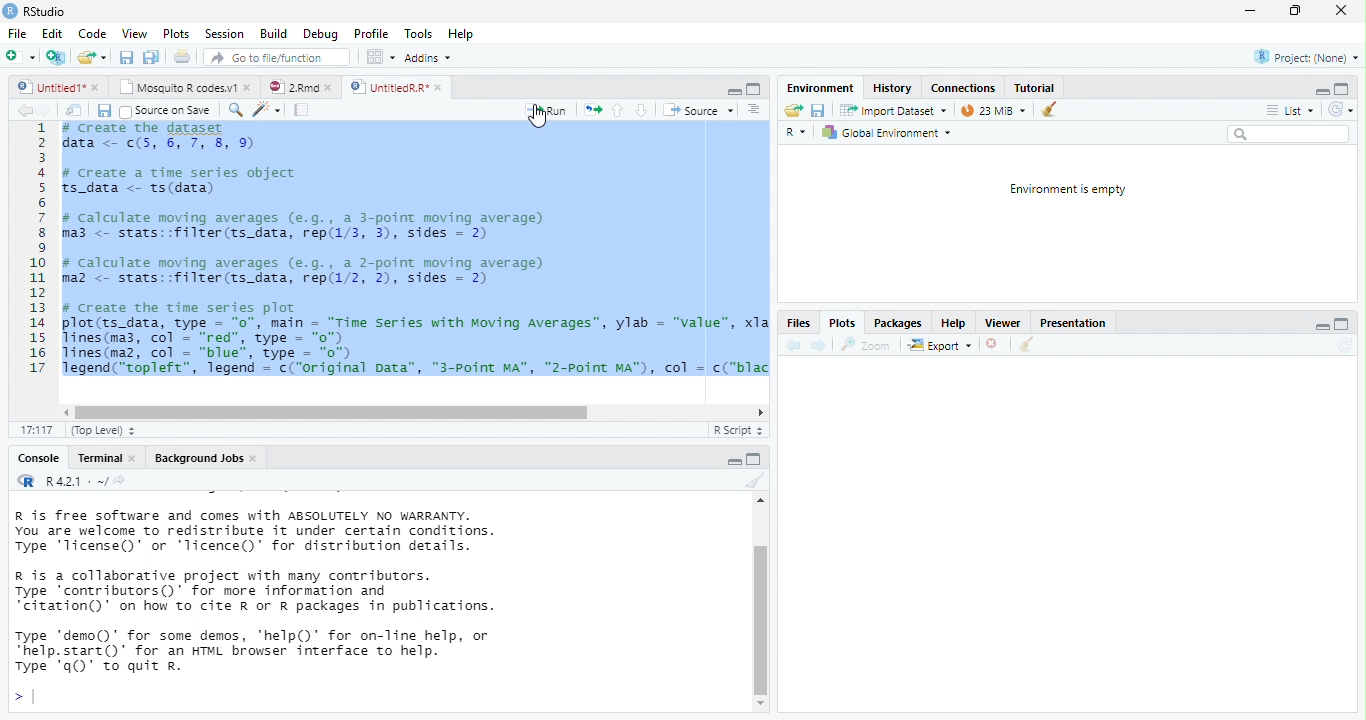 The image size is (1366, 720). I want to click on View, so click(133, 33).